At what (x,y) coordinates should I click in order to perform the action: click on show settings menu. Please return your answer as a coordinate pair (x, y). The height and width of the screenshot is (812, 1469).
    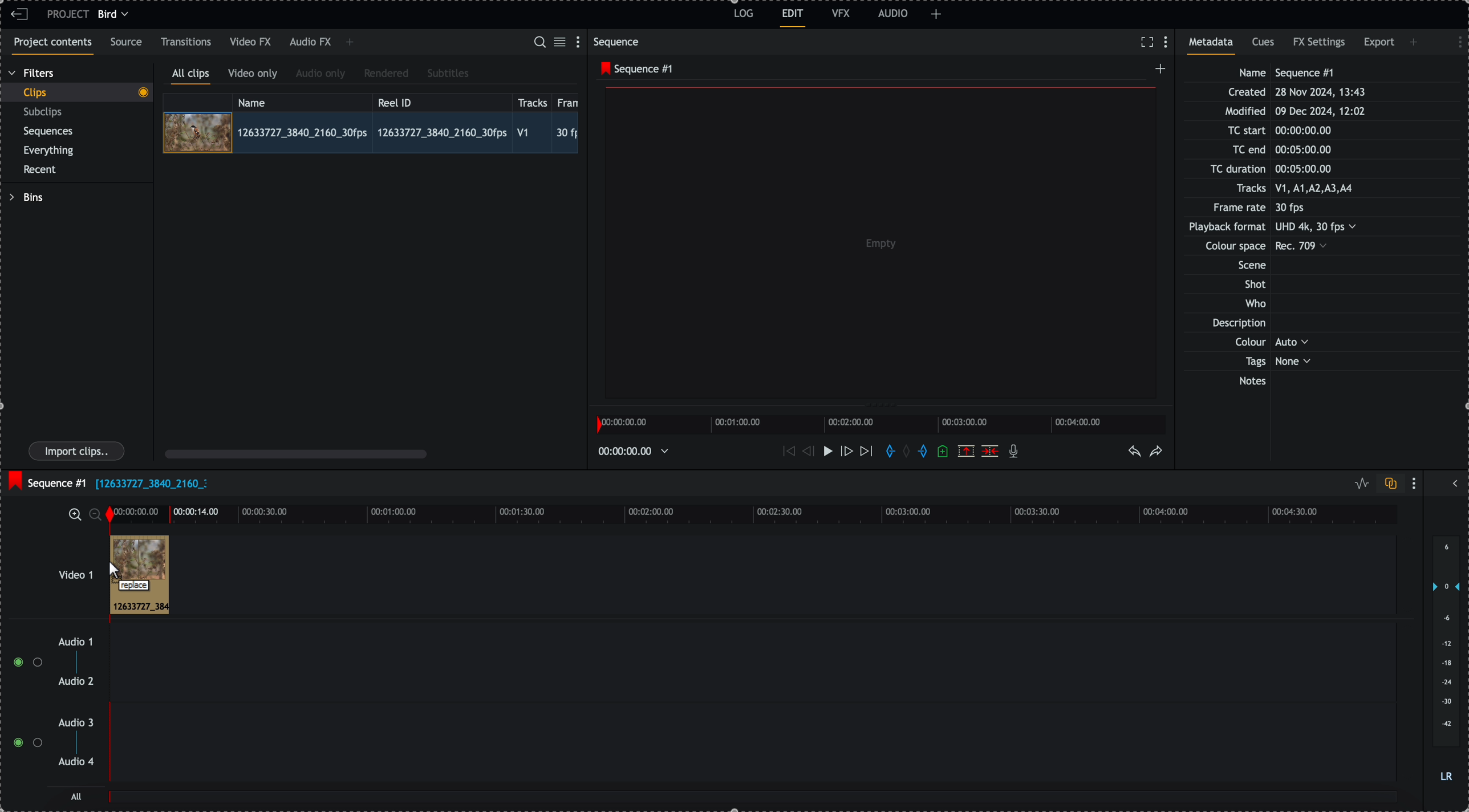
    Looking at the image, I should click on (1454, 40).